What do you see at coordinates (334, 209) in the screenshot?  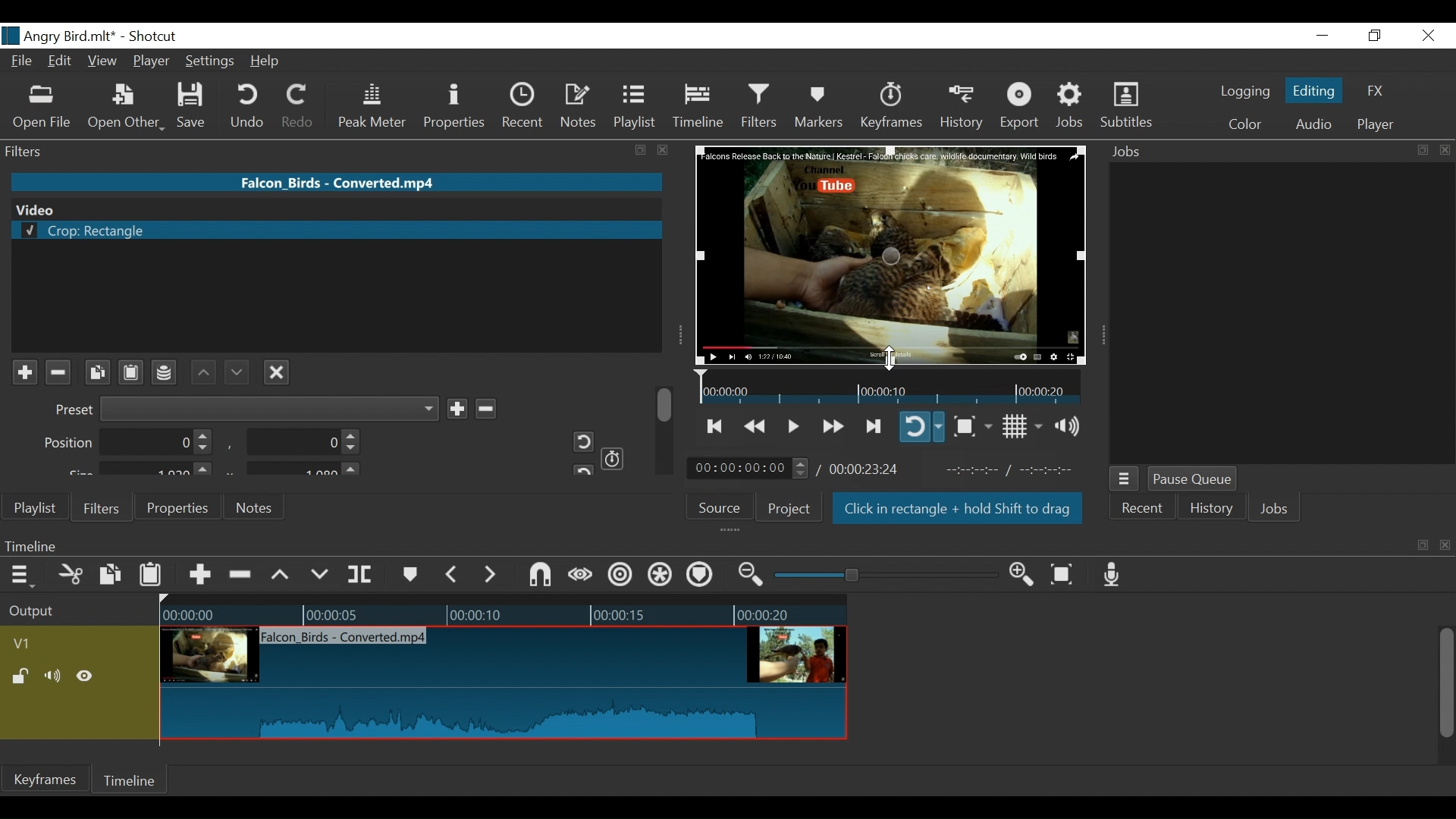 I see `Video` at bounding box center [334, 209].